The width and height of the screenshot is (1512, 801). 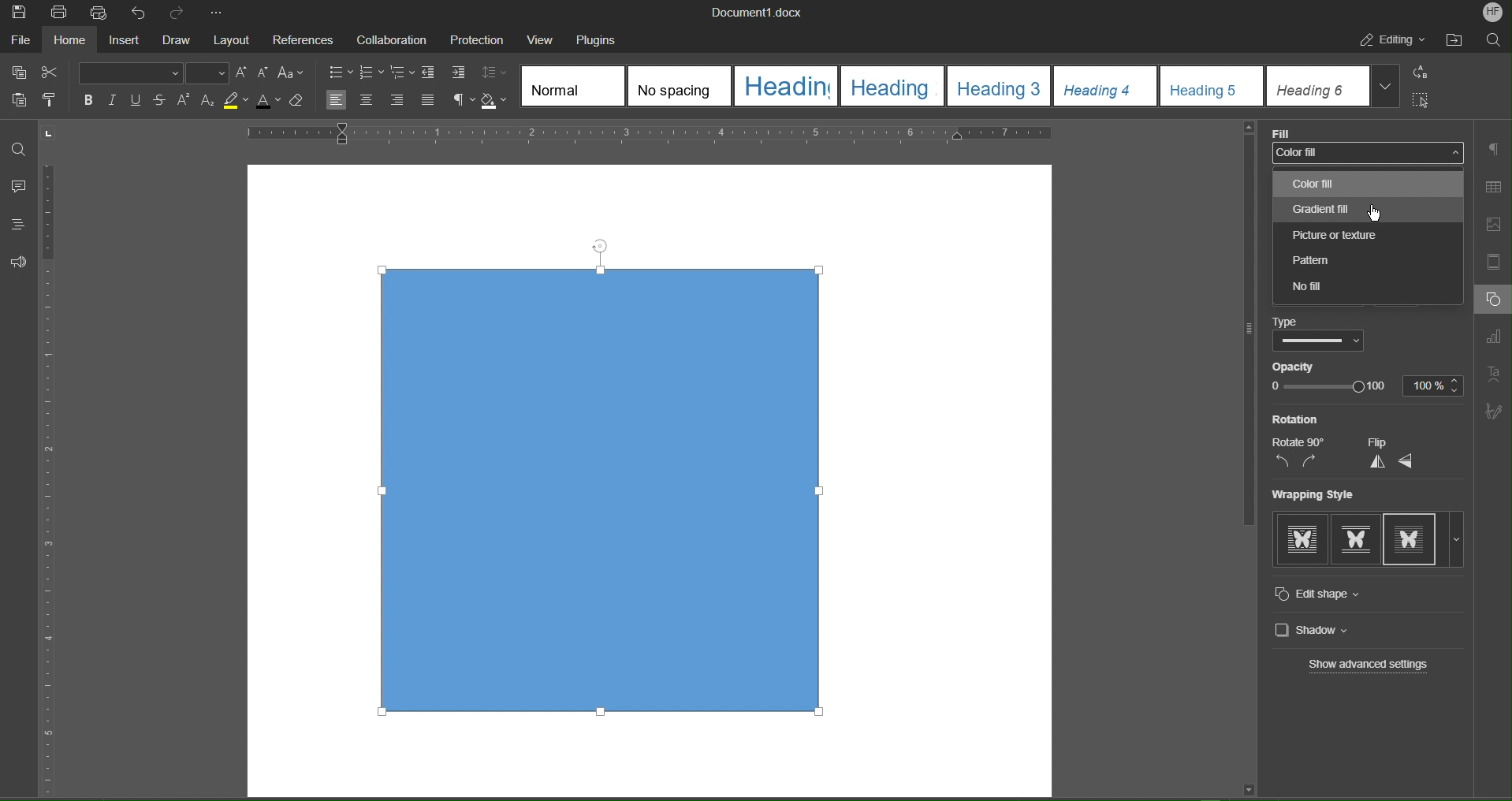 What do you see at coordinates (1495, 149) in the screenshot?
I see `Paragraph Settings` at bounding box center [1495, 149].